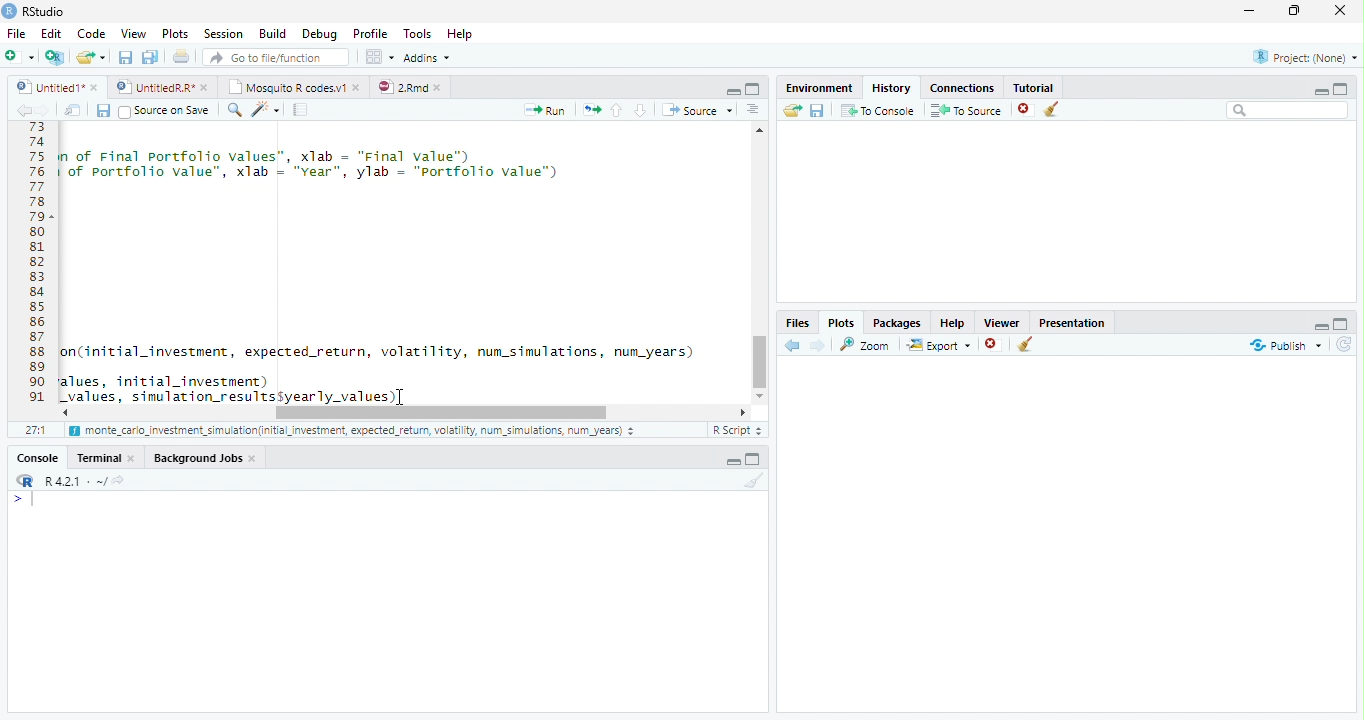  Describe the element at coordinates (235, 110) in the screenshot. I see `Find and replace` at that location.